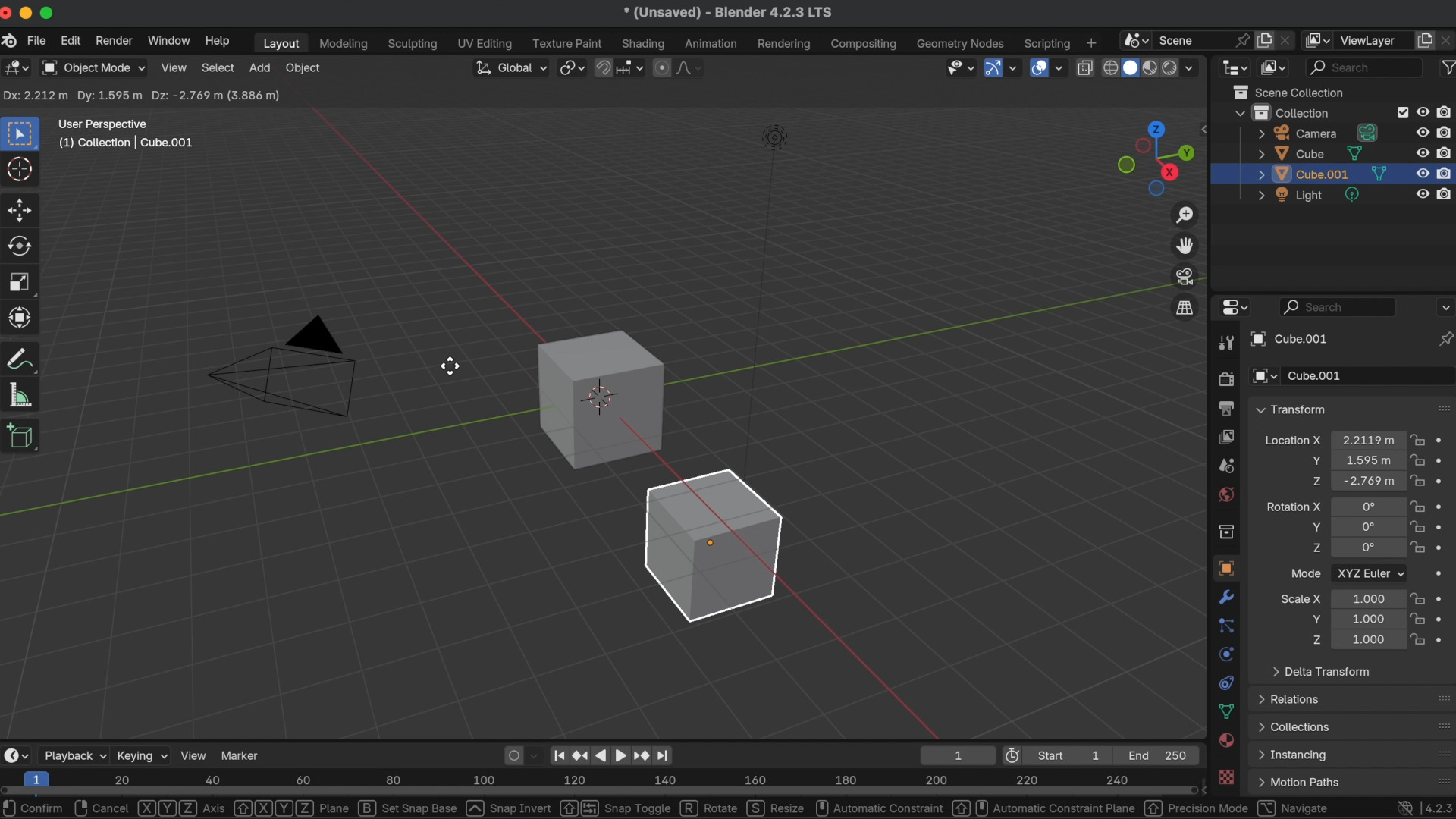  Describe the element at coordinates (1228, 778) in the screenshot. I see `texture` at that location.